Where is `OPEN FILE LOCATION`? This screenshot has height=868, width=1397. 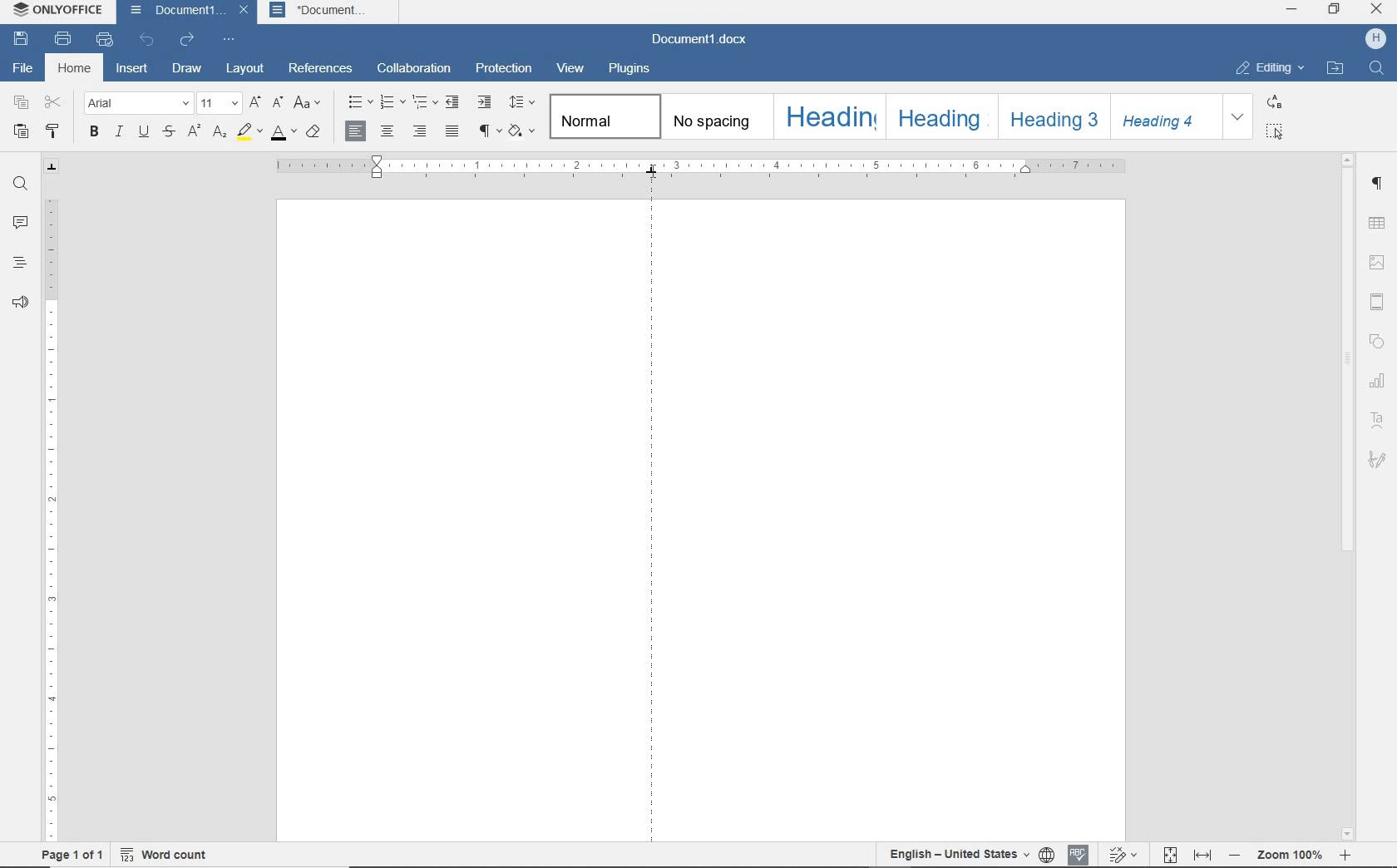
OPEN FILE LOCATION is located at coordinates (1335, 67).